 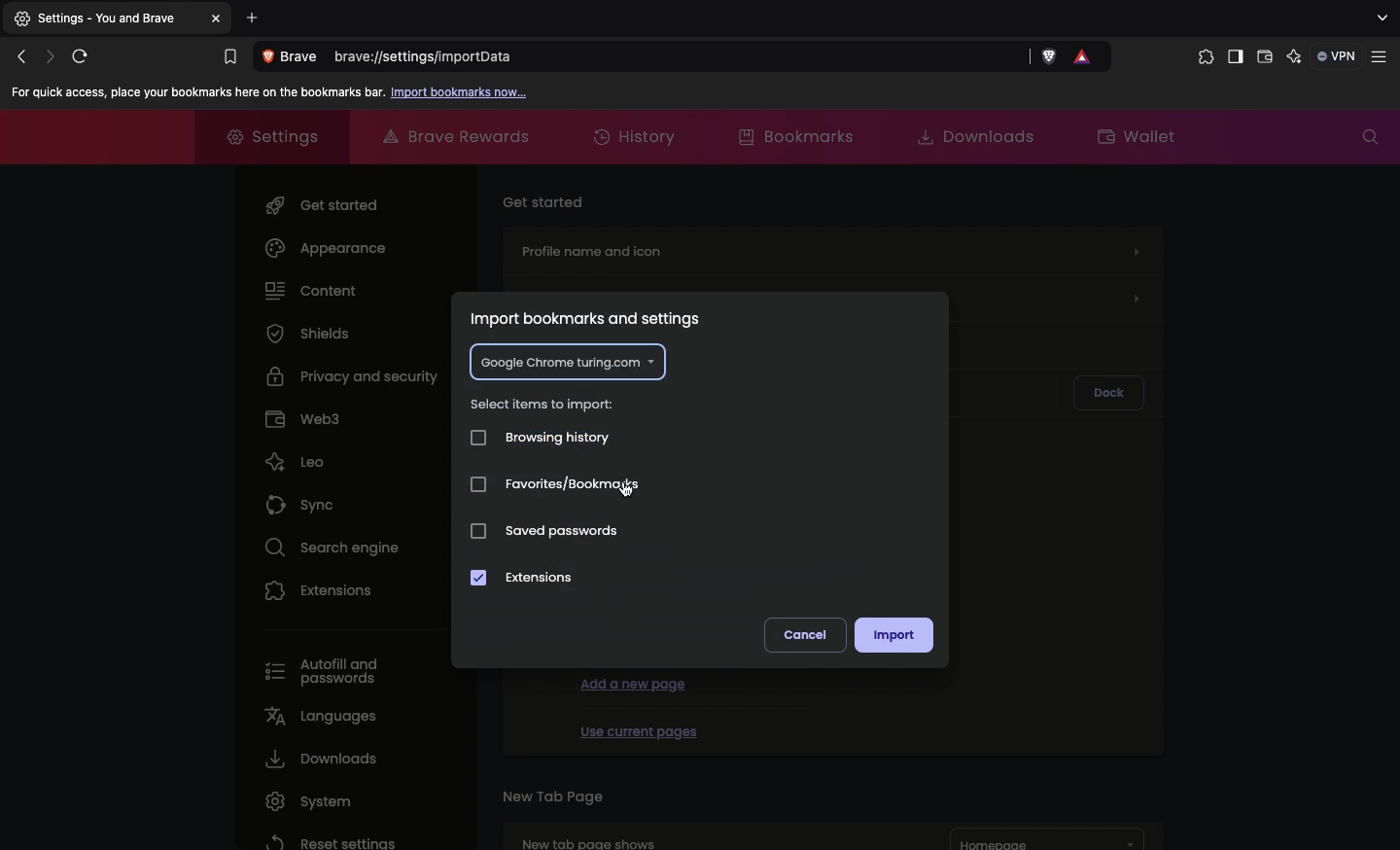 What do you see at coordinates (540, 437) in the screenshot?
I see `Browsing history` at bounding box center [540, 437].